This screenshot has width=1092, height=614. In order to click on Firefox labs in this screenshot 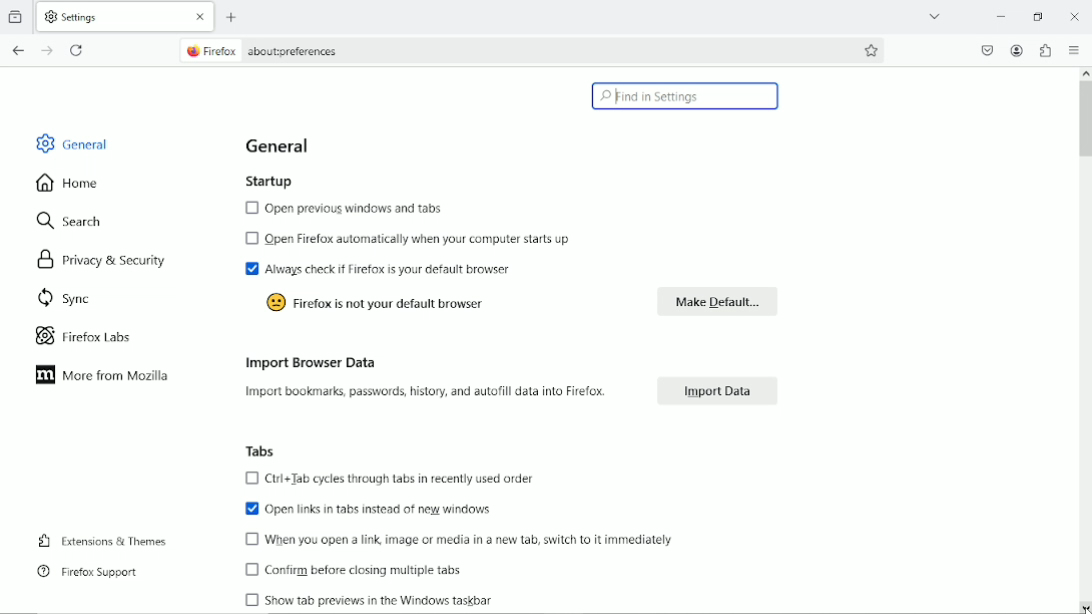, I will do `click(96, 339)`.